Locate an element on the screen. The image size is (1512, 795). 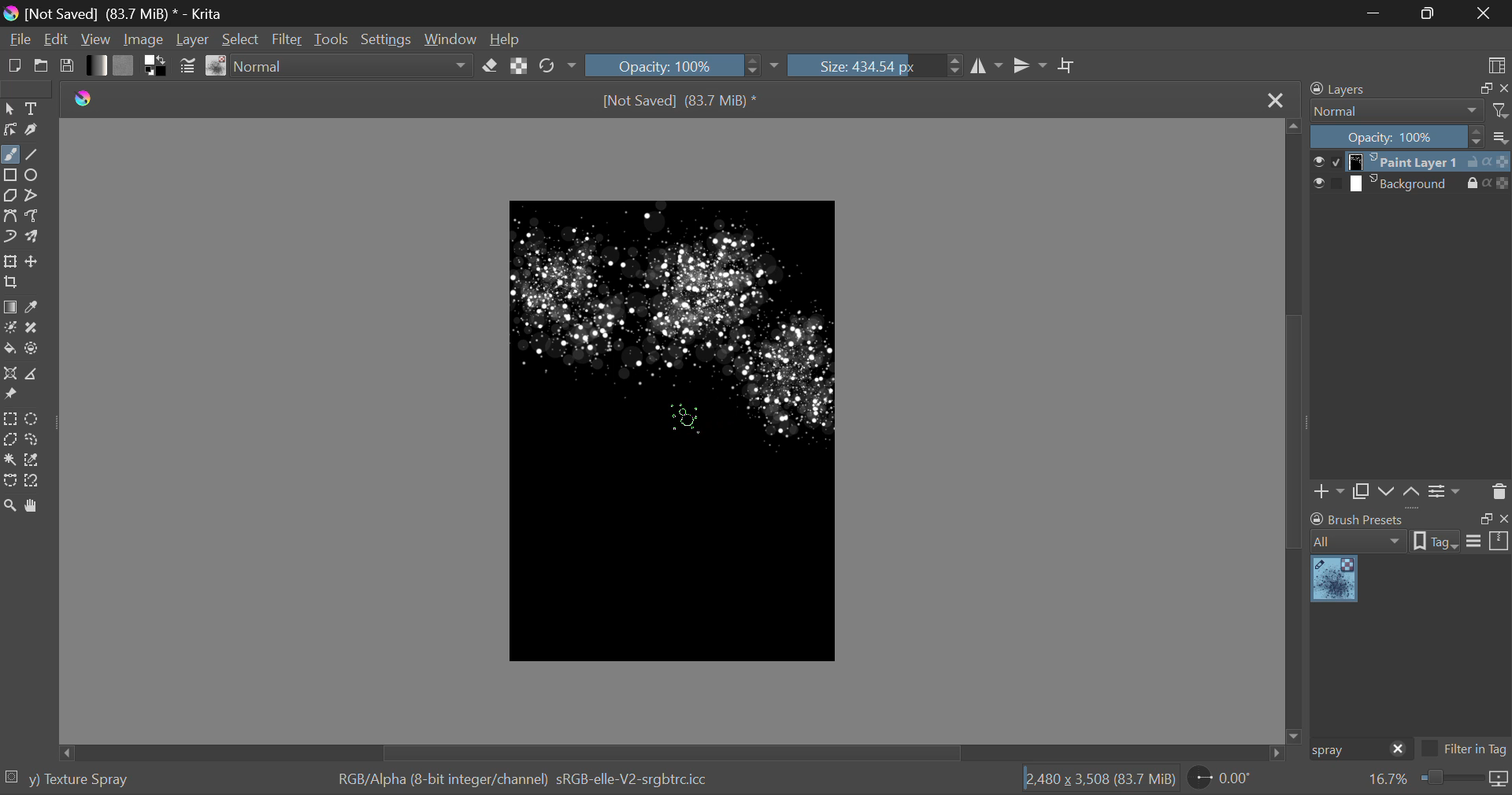
logo is located at coordinates (84, 99).